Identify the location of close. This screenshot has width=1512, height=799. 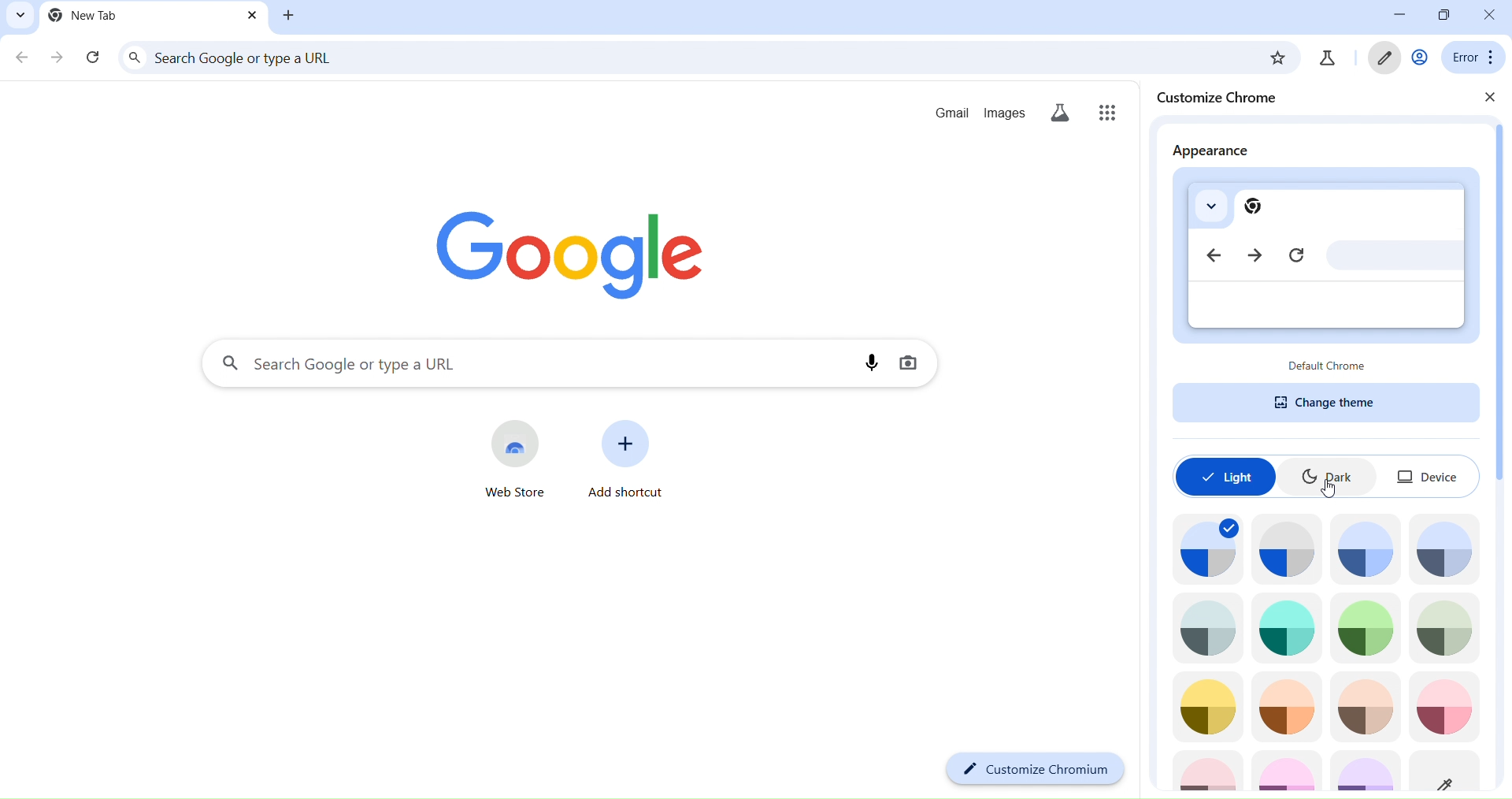
(1490, 13).